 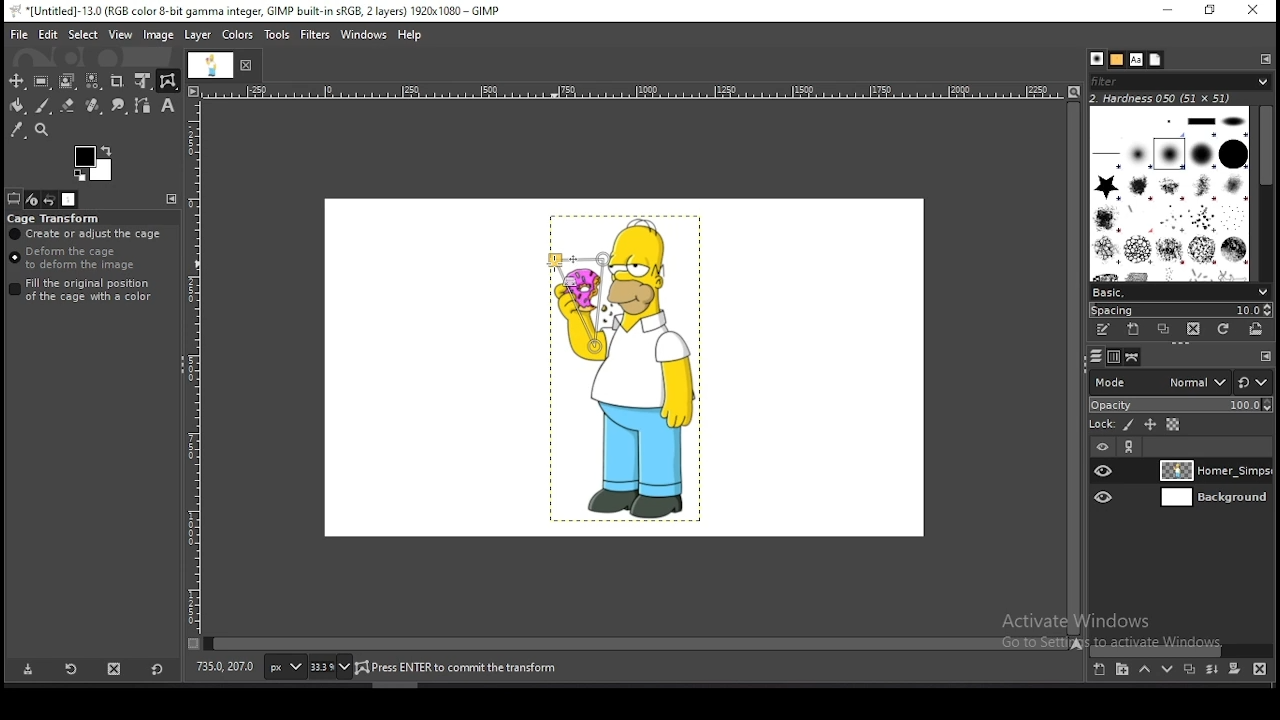 What do you see at coordinates (1100, 425) in the screenshot?
I see `lock` at bounding box center [1100, 425].